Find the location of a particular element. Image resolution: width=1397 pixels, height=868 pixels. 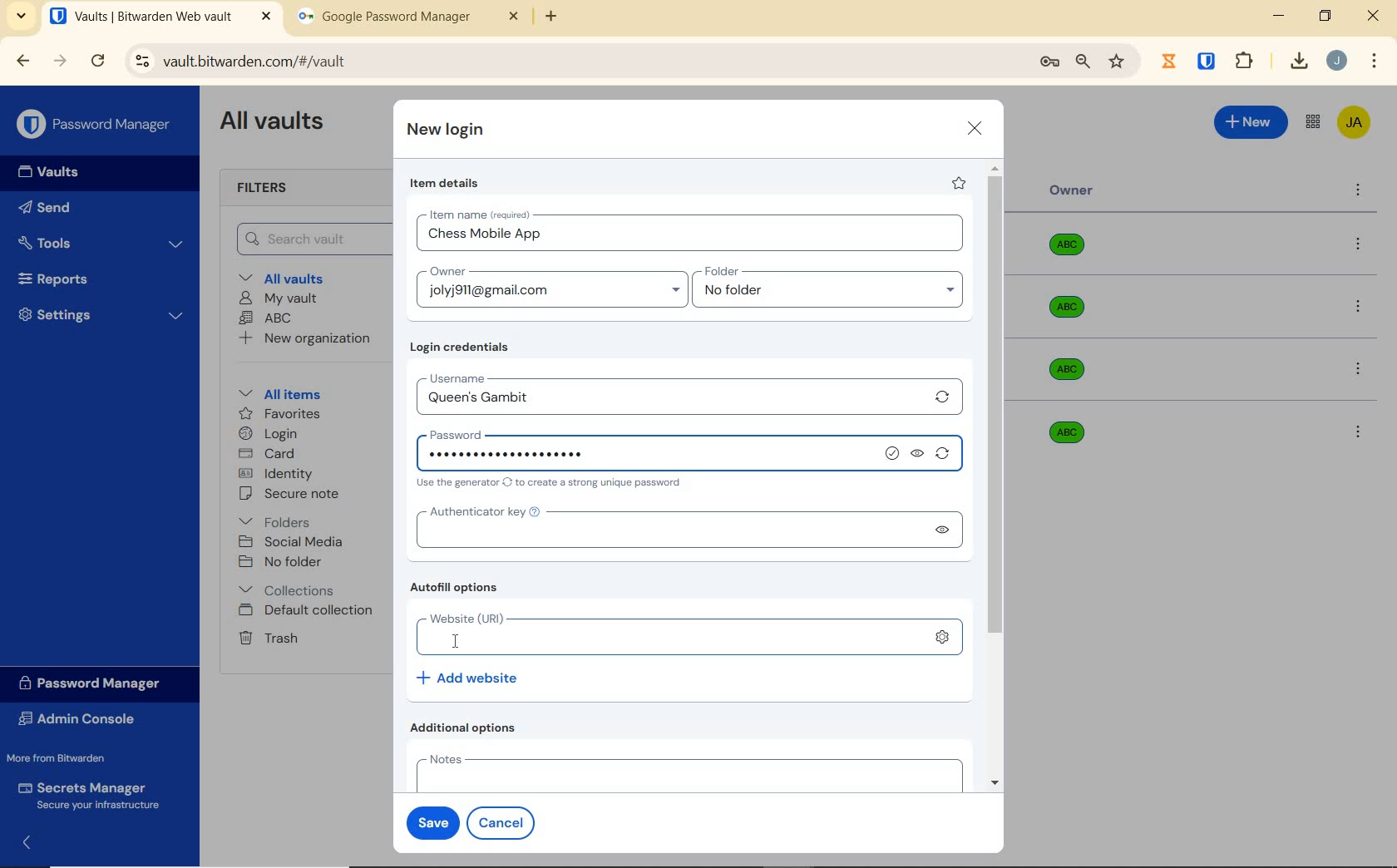

Folders is located at coordinates (278, 519).